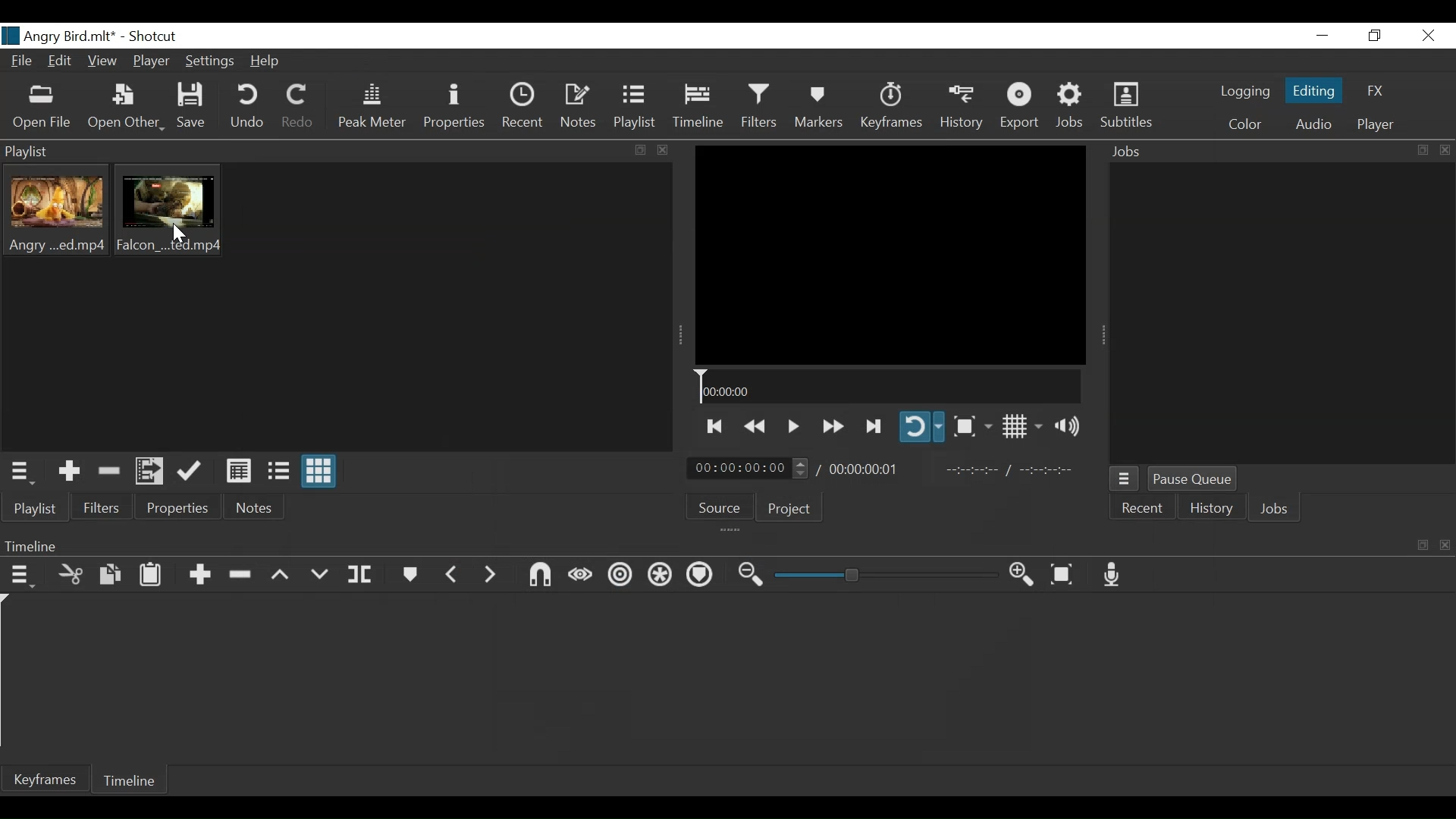 The image size is (1456, 819). I want to click on View as details, so click(240, 472).